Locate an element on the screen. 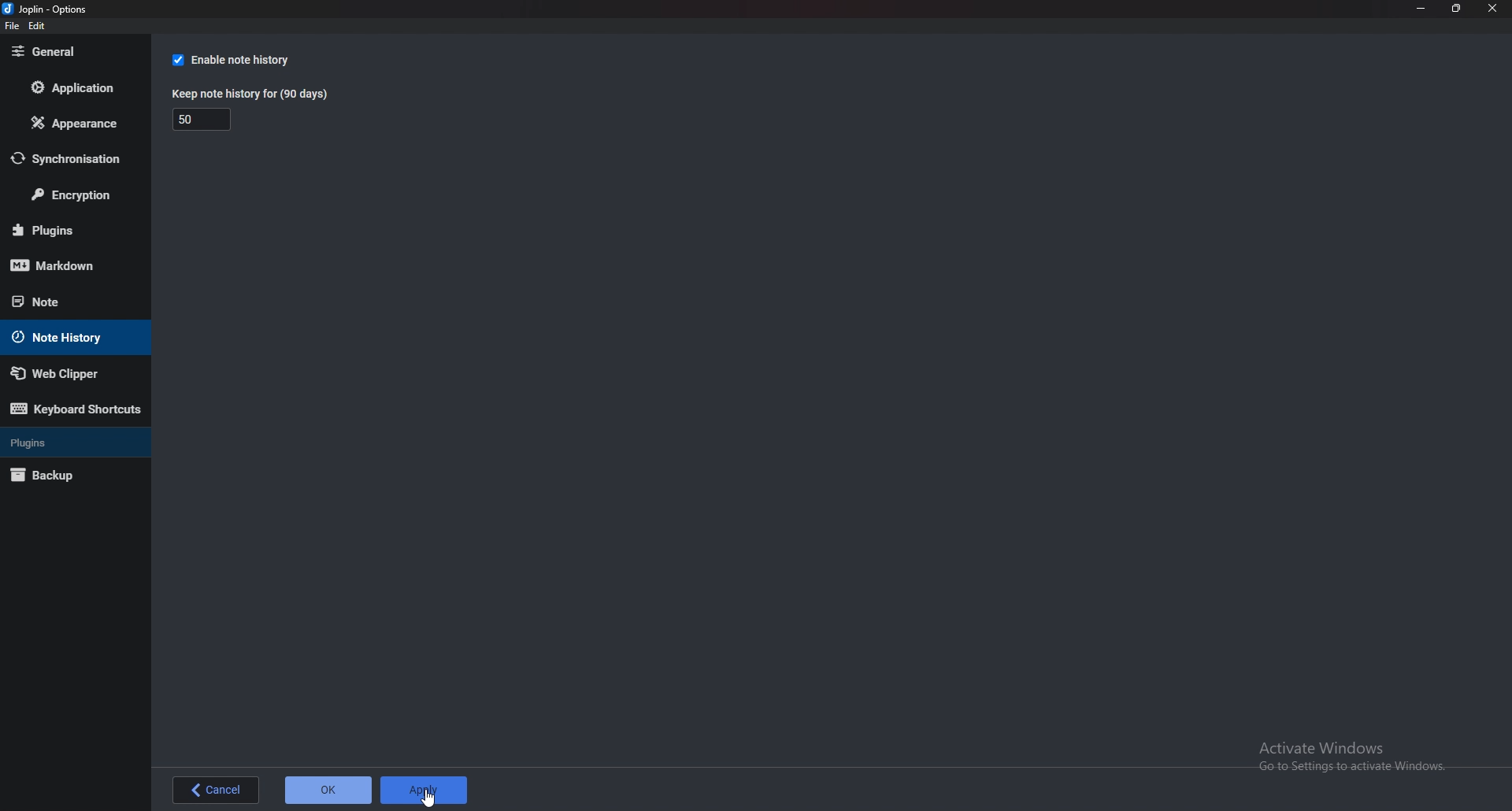  Encryption is located at coordinates (72, 197).